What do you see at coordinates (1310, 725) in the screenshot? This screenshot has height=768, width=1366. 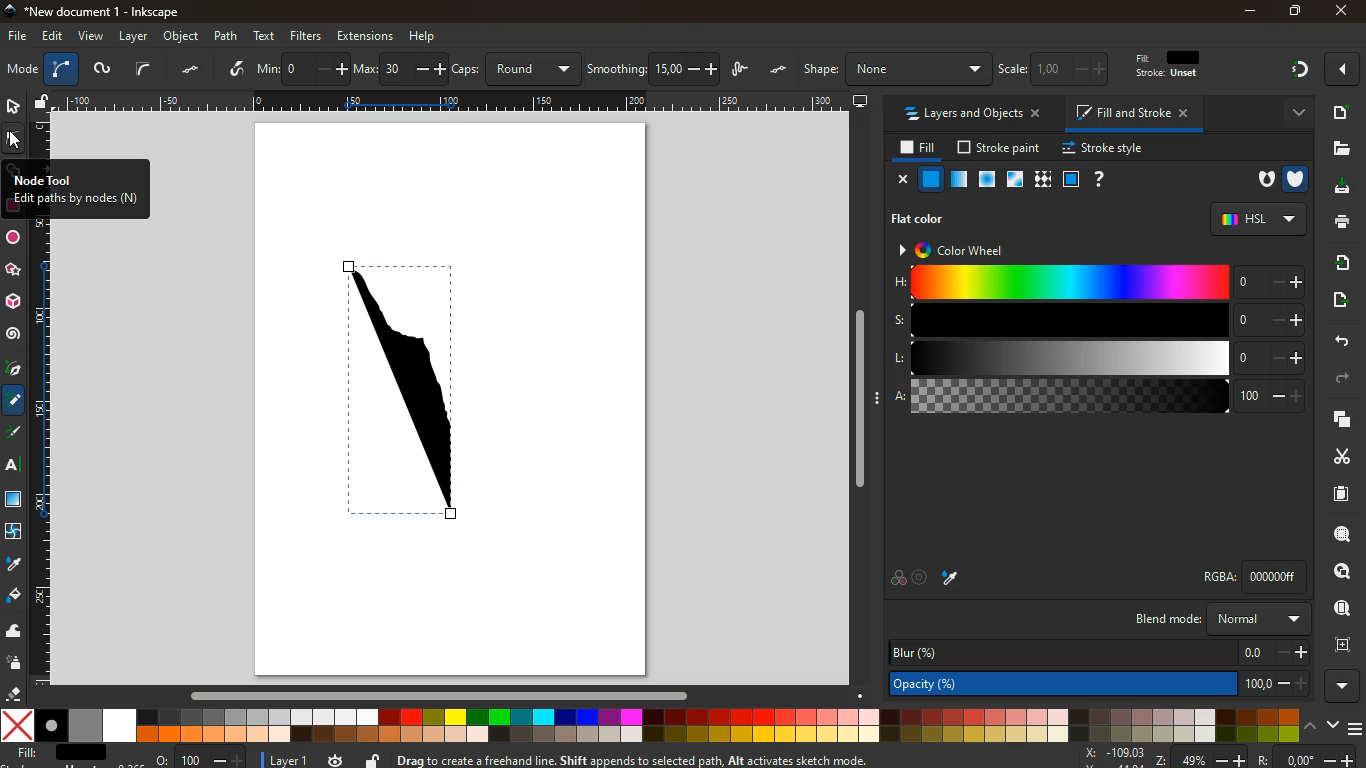 I see `up` at bounding box center [1310, 725].